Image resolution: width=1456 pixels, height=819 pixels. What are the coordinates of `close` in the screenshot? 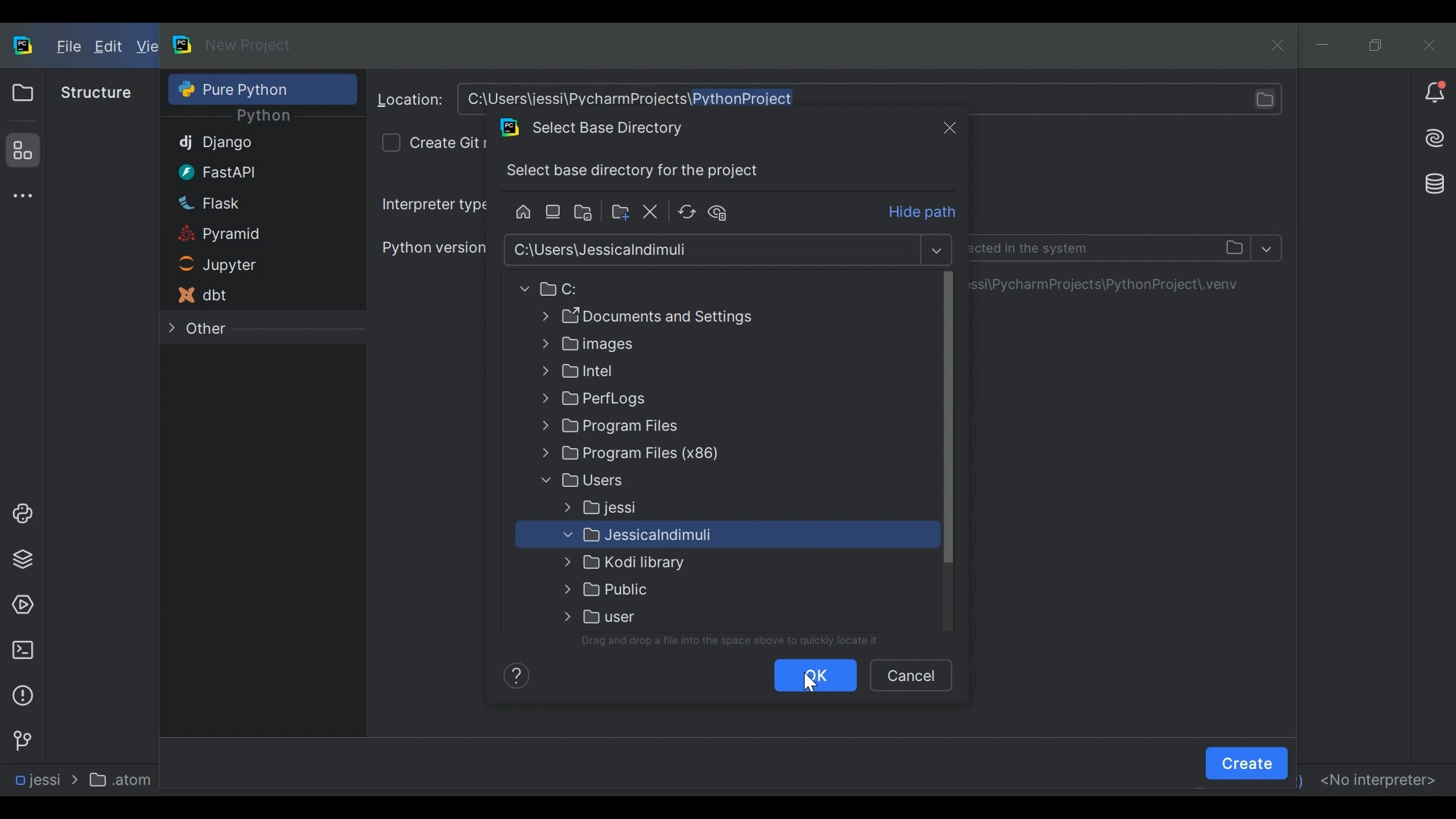 It's located at (1275, 43).